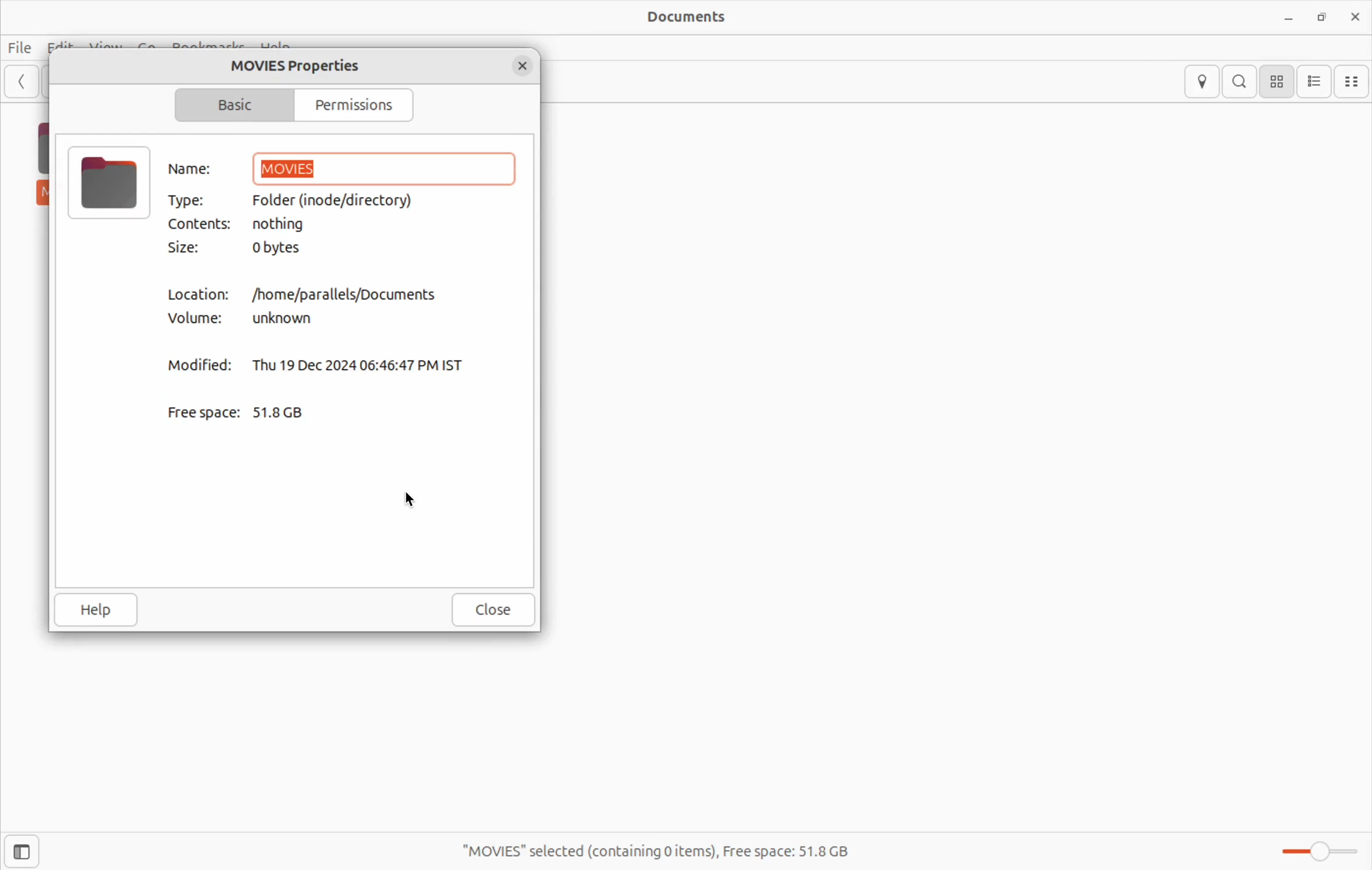  Describe the element at coordinates (290, 410) in the screenshot. I see `51.8 GB` at that location.